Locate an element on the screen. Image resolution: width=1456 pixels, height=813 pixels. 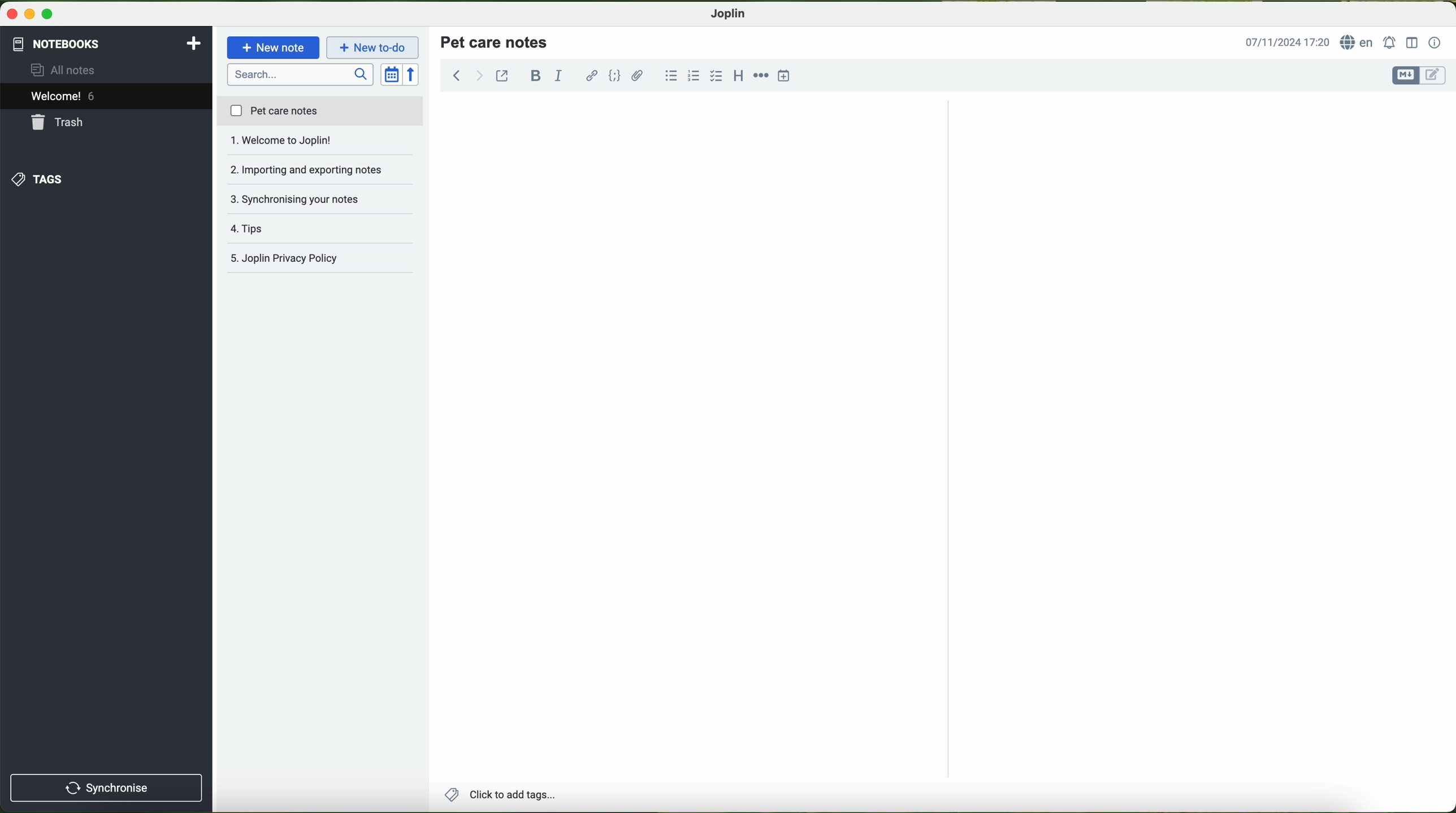
note properties is located at coordinates (1435, 43).